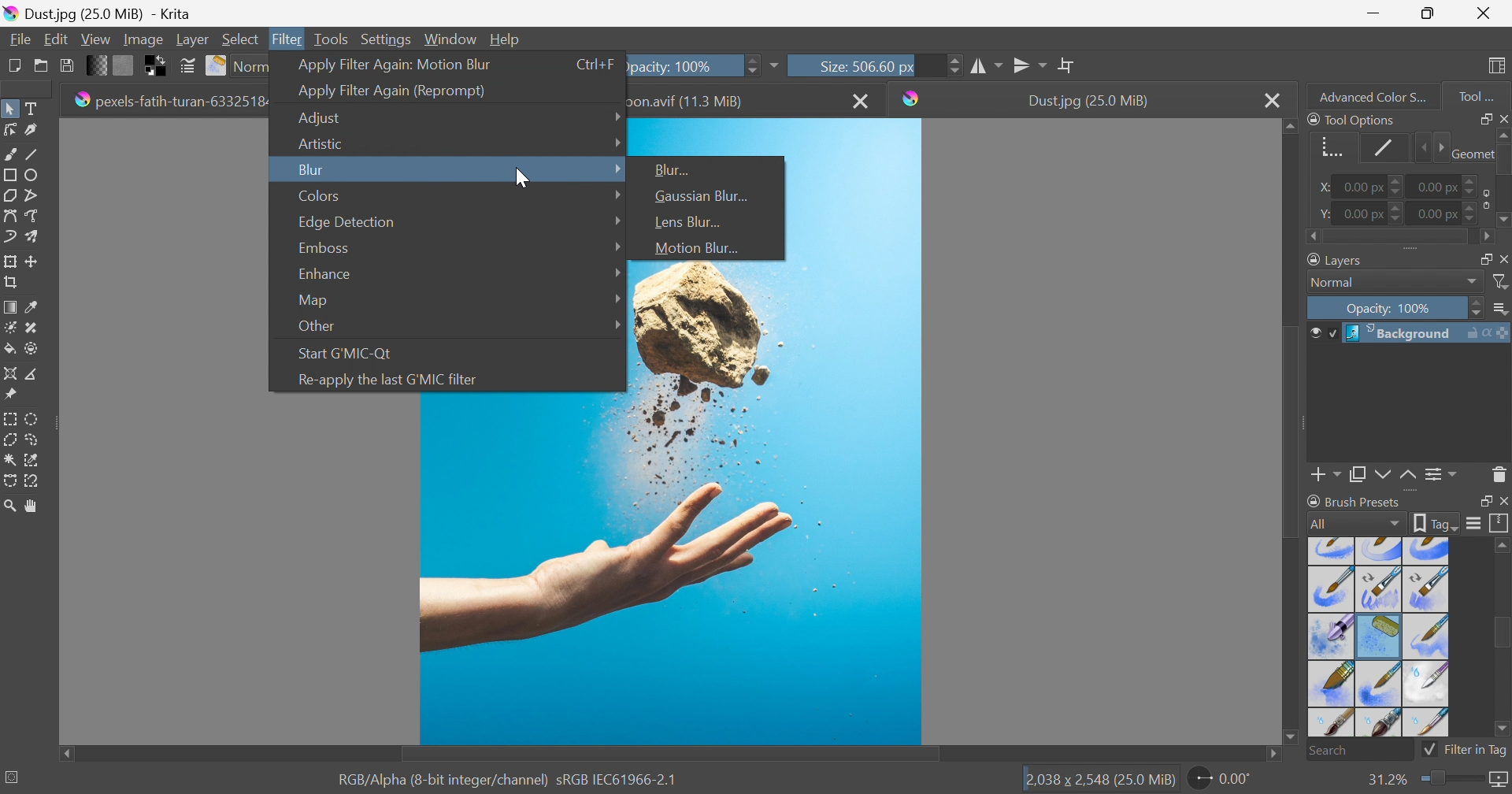 This screenshot has height=794, width=1512. What do you see at coordinates (1398, 213) in the screenshot?
I see `Slider` at bounding box center [1398, 213].